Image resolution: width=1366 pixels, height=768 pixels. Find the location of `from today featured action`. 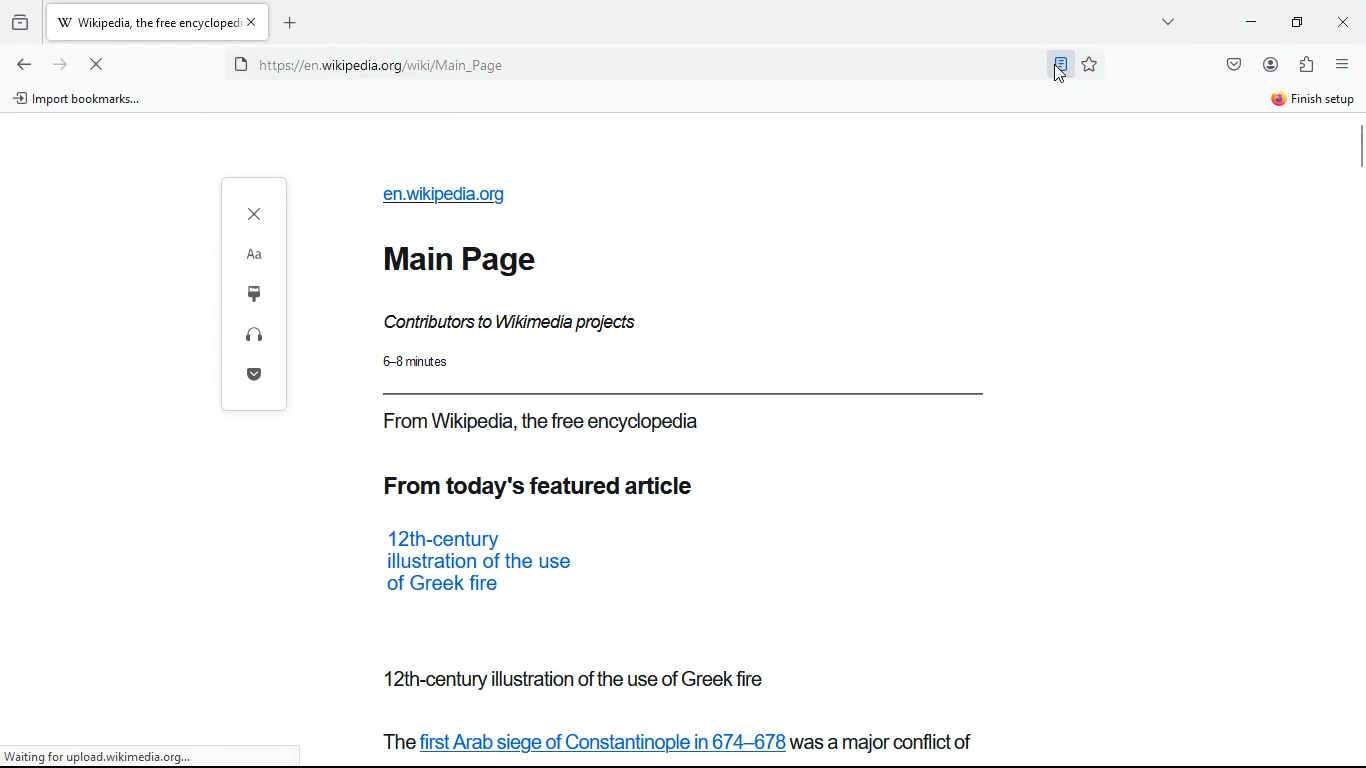

from today featured action is located at coordinates (595, 679).